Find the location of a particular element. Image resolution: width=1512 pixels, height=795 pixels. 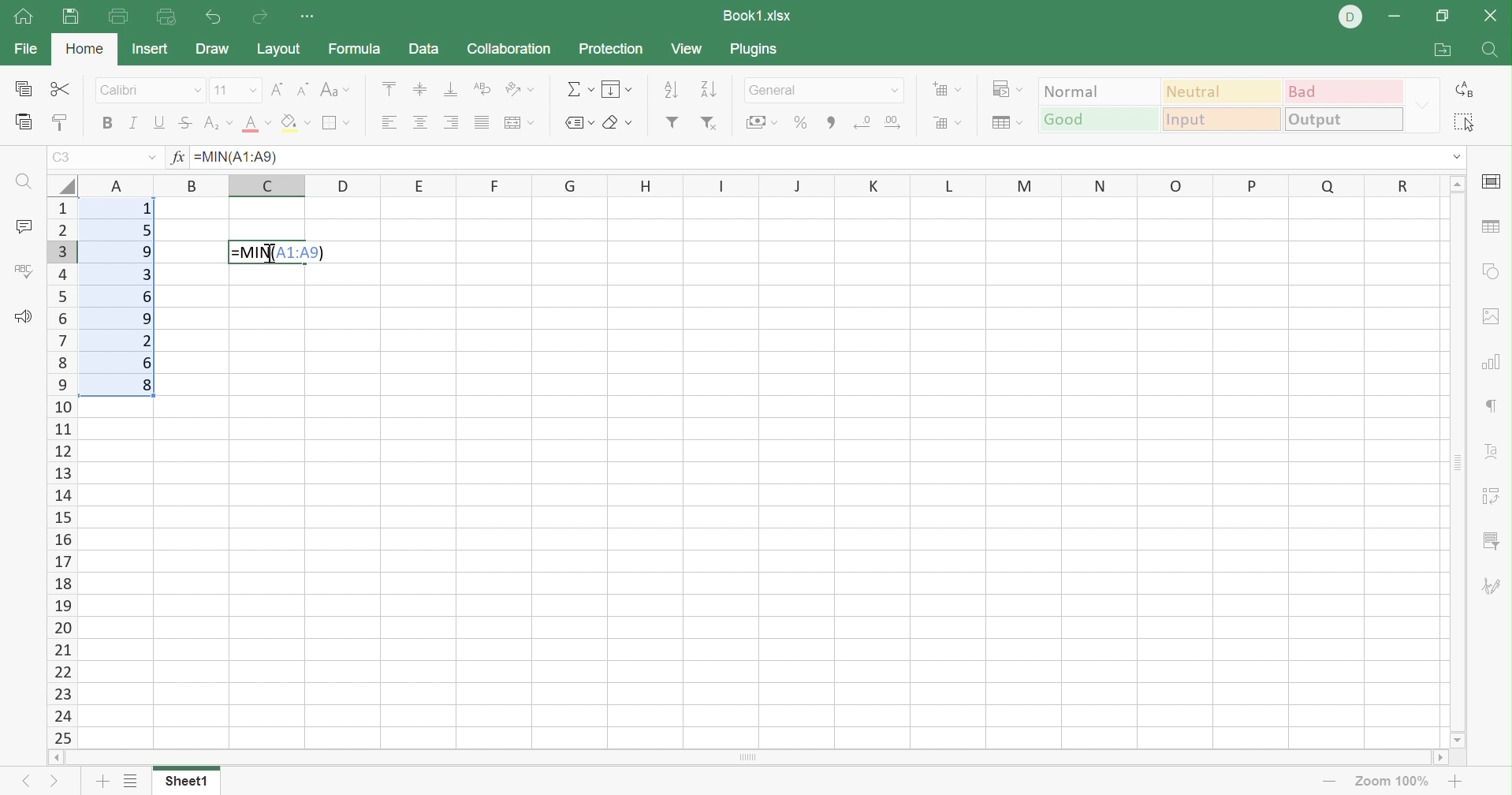

Scroll Up is located at coordinates (1458, 185).